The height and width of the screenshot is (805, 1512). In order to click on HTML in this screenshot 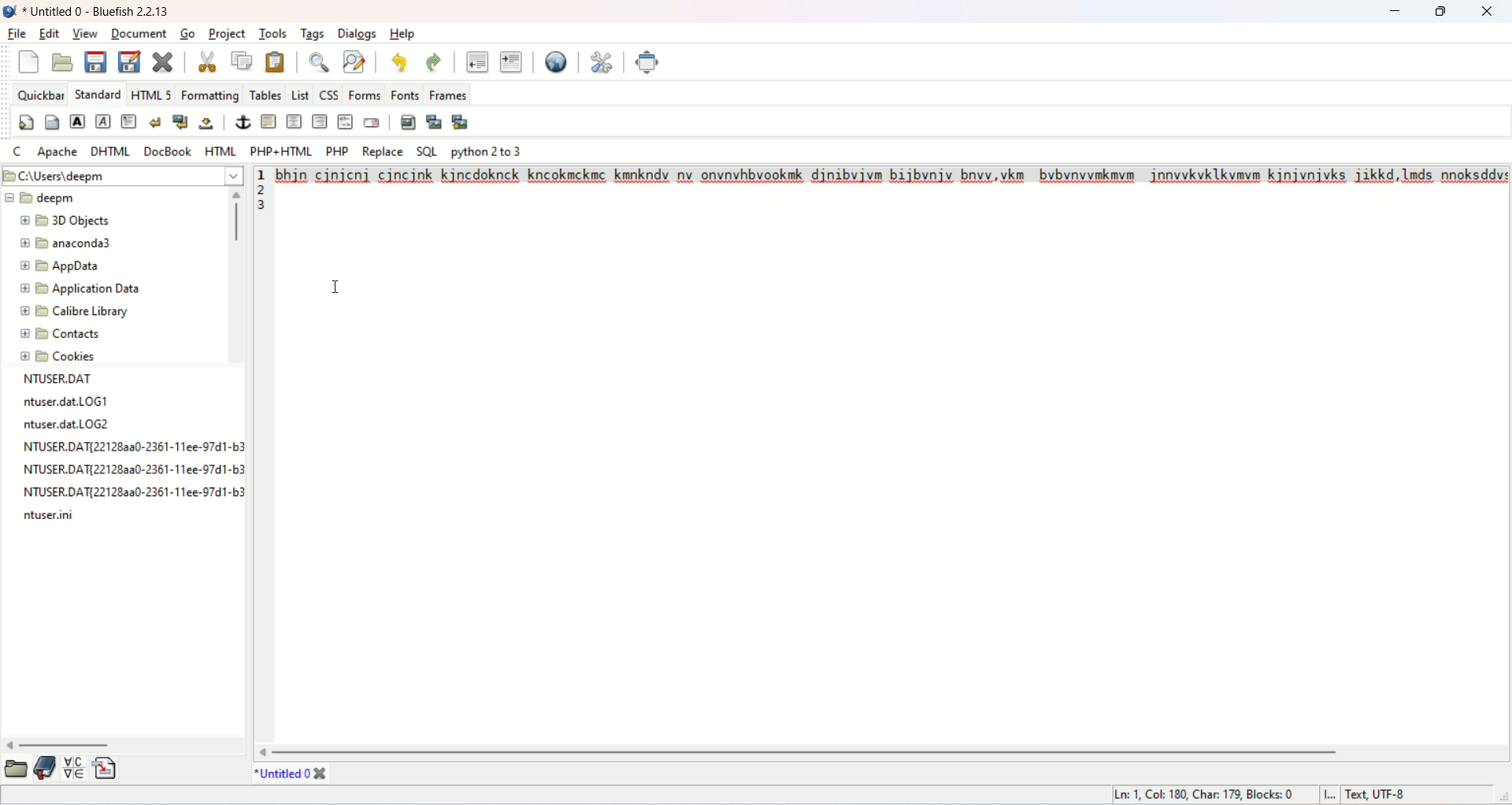, I will do `click(220, 152)`.